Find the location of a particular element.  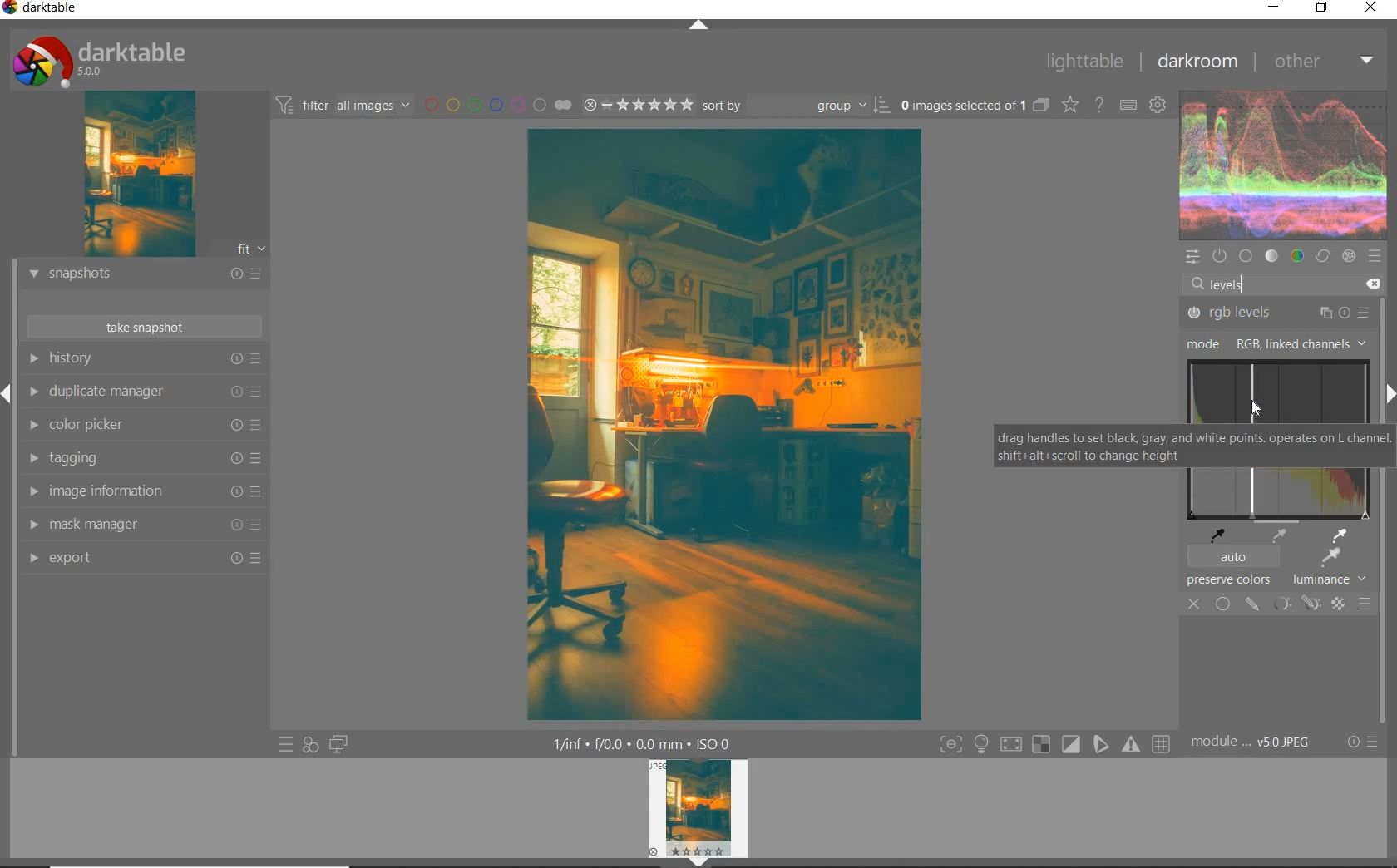

pick white point with image is located at coordinates (1343, 535).